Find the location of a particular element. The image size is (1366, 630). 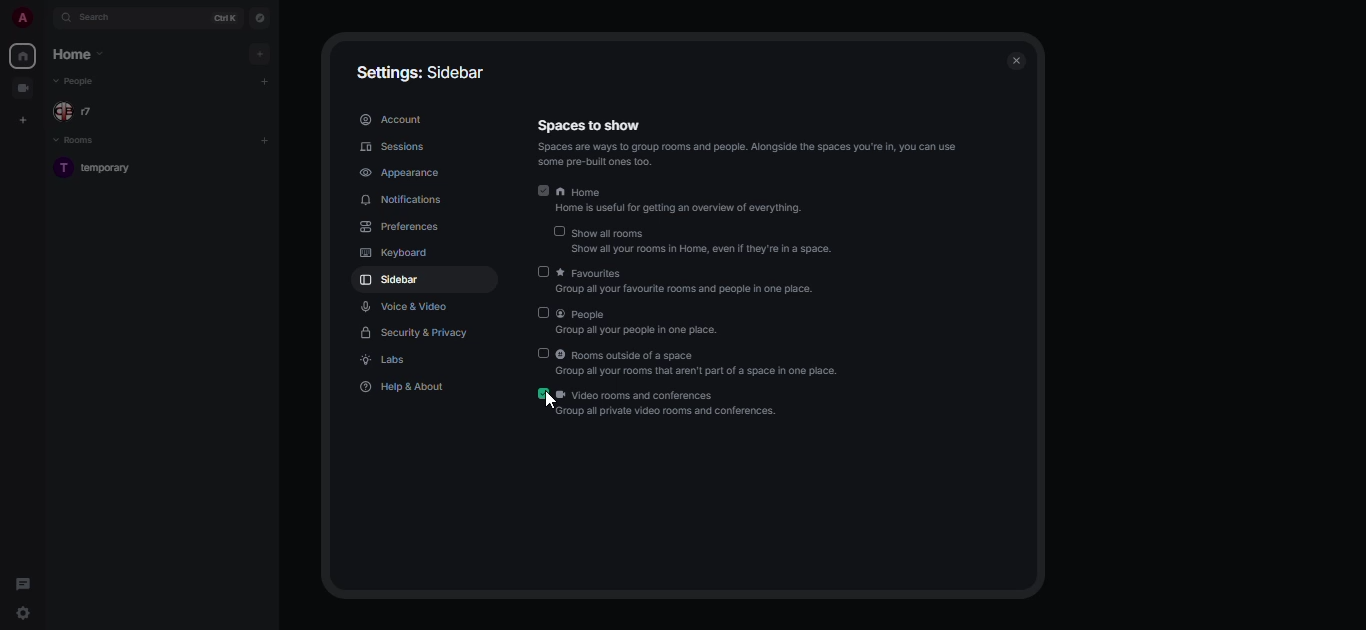

security & privacy is located at coordinates (423, 334).